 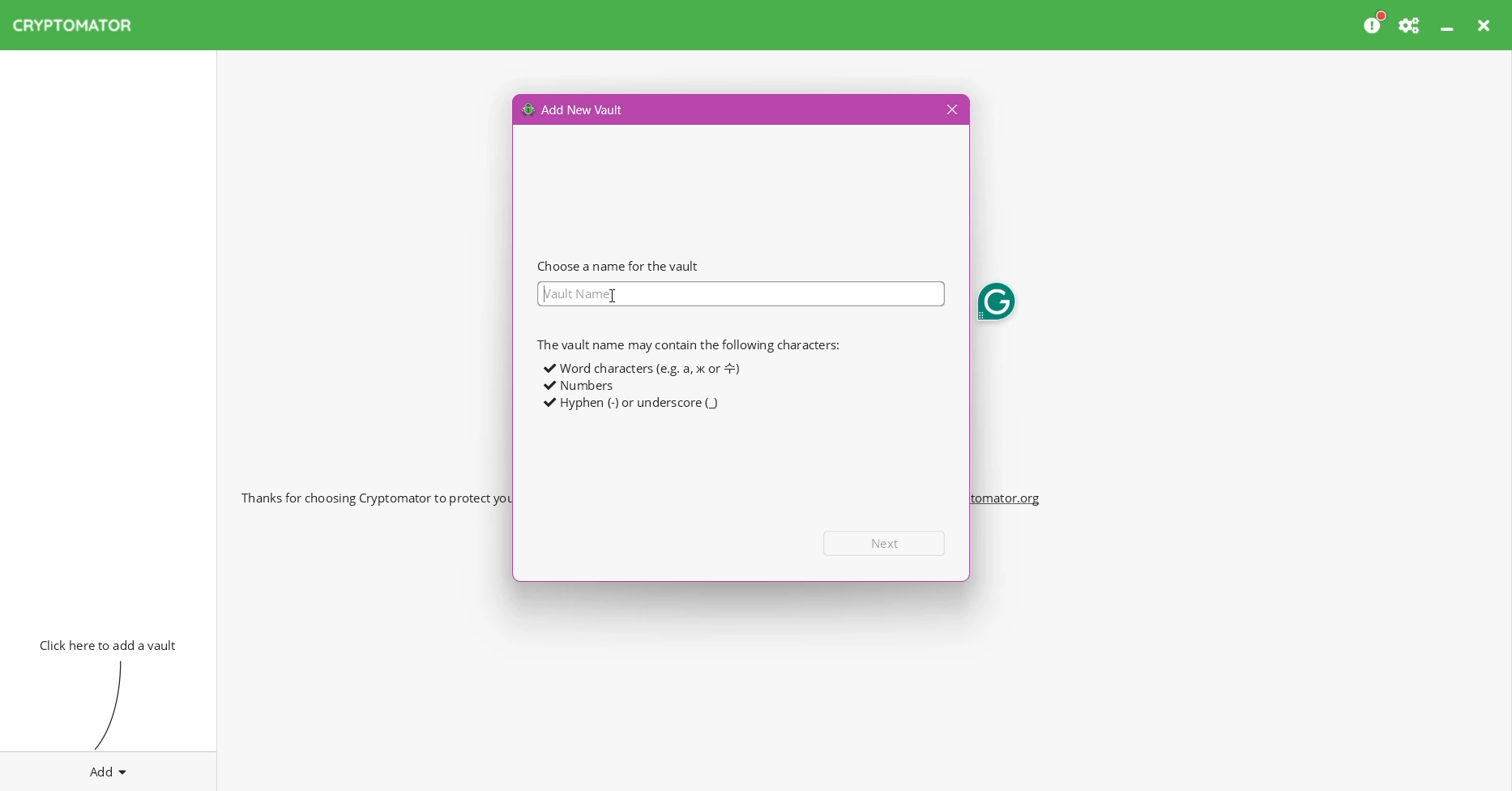 I want to click on Minimize, so click(x=1449, y=25).